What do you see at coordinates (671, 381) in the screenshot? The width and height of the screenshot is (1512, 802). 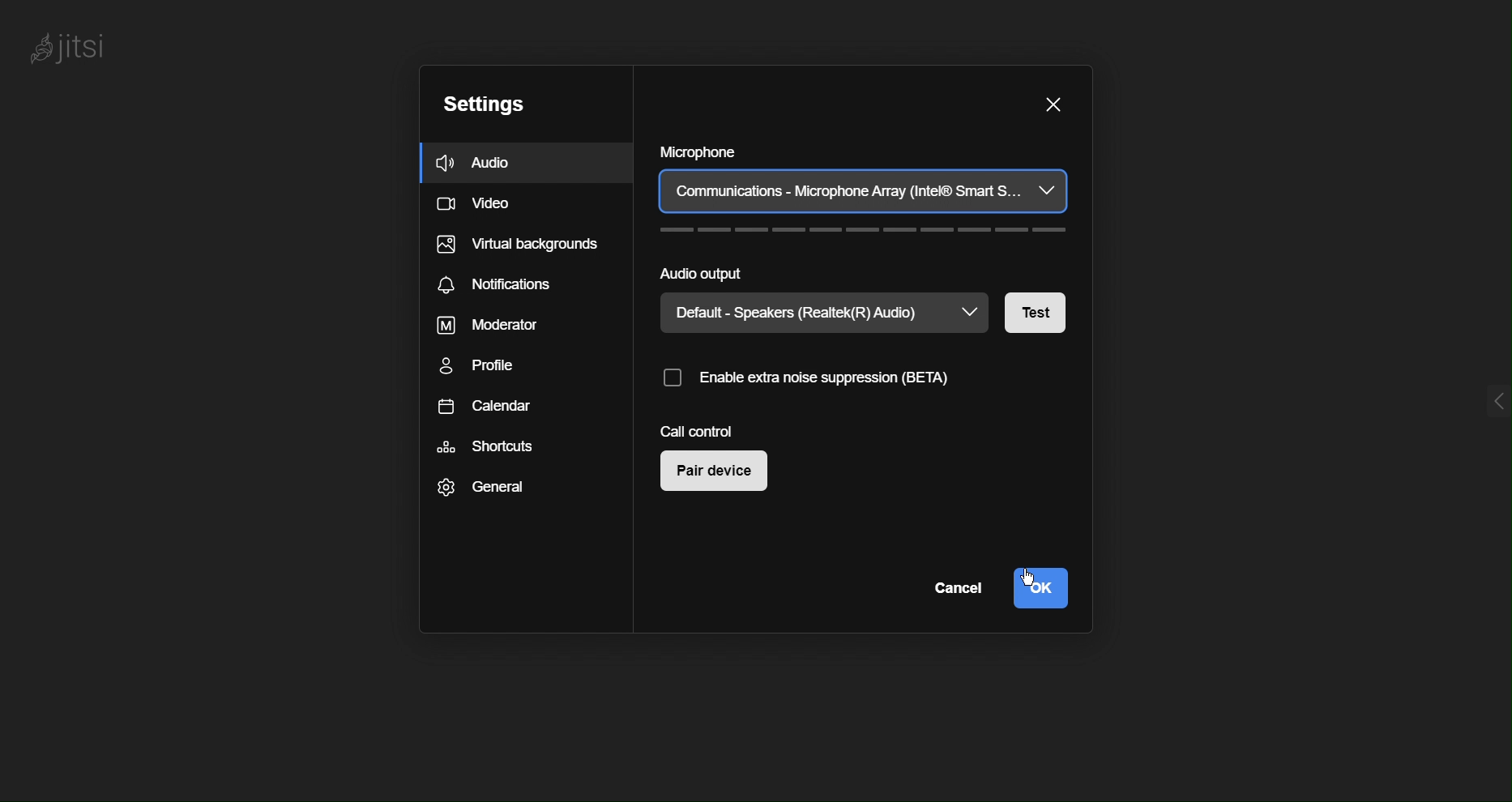 I see `Checkbox` at bounding box center [671, 381].